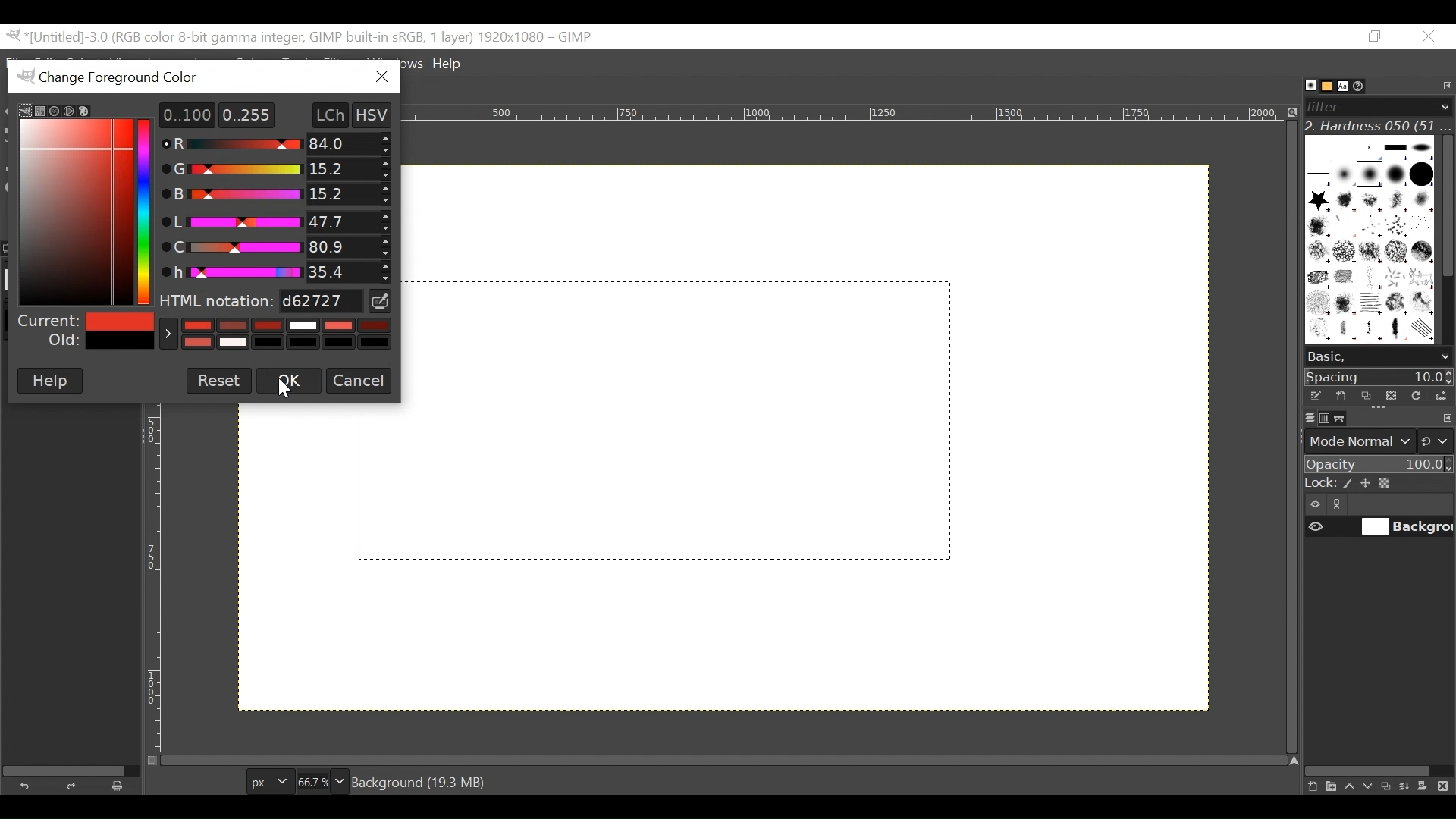  Describe the element at coordinates (1445, 204) in the screenshot. I see `Vertical scroll bar` at that location.